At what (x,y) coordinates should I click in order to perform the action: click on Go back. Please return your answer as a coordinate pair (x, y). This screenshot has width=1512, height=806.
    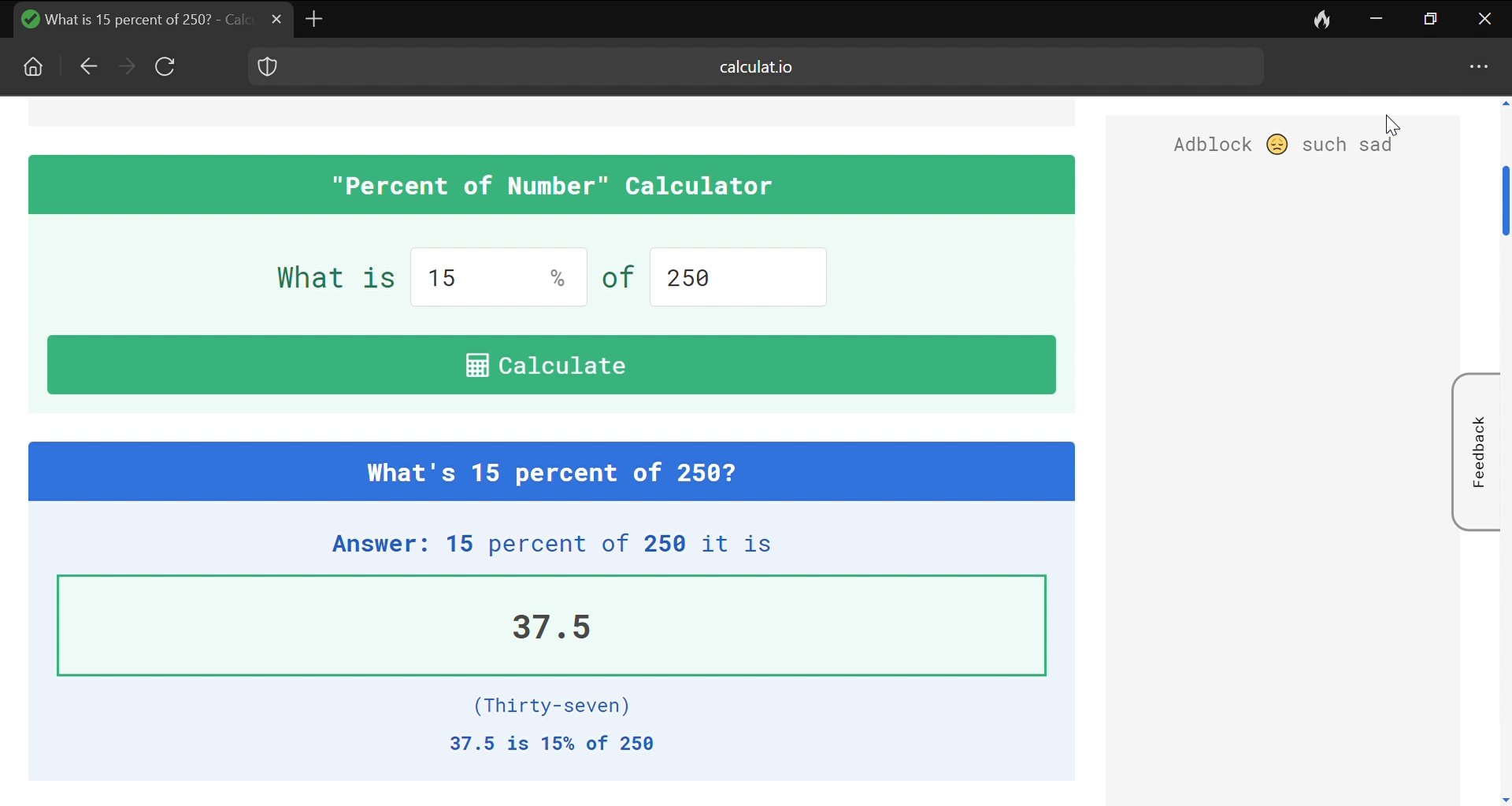
    Looking at the image, I should click on (86, 65).